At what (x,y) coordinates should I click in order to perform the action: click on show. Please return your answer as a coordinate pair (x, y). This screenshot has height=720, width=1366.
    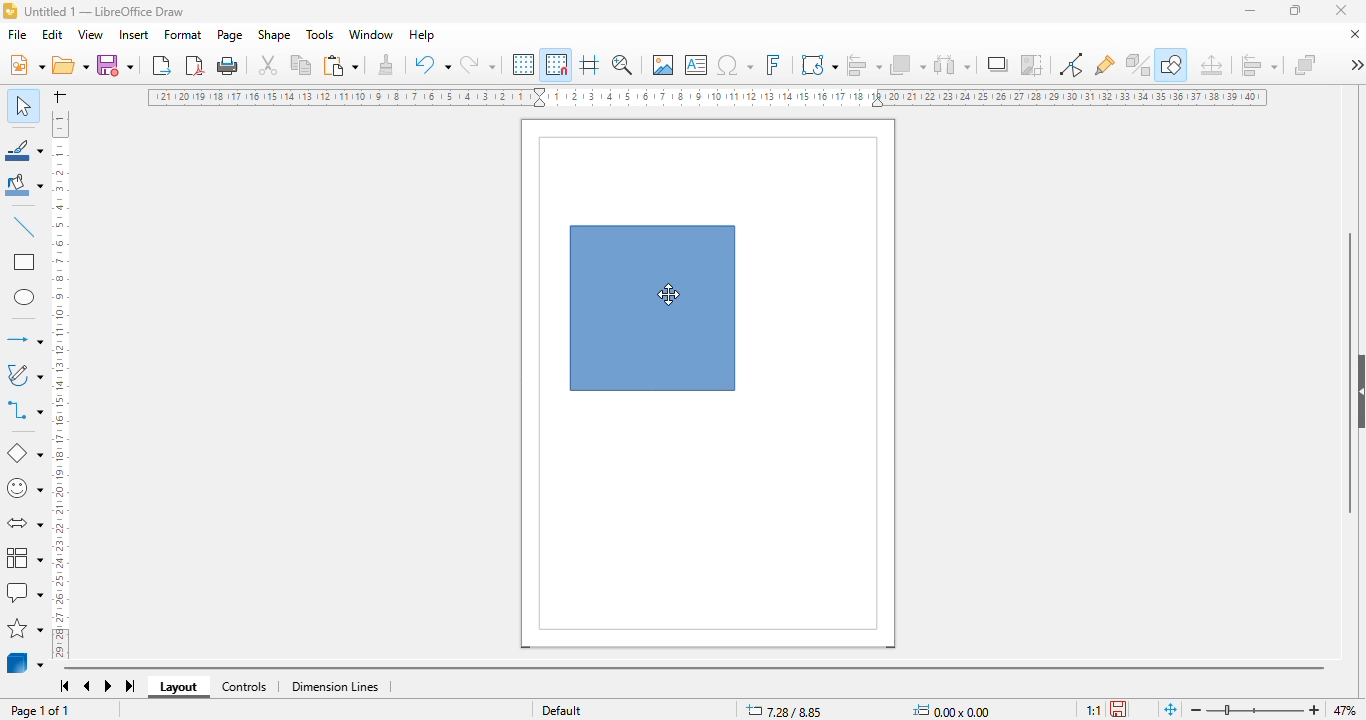
    Looking at the image, I should click on (1357, 392).